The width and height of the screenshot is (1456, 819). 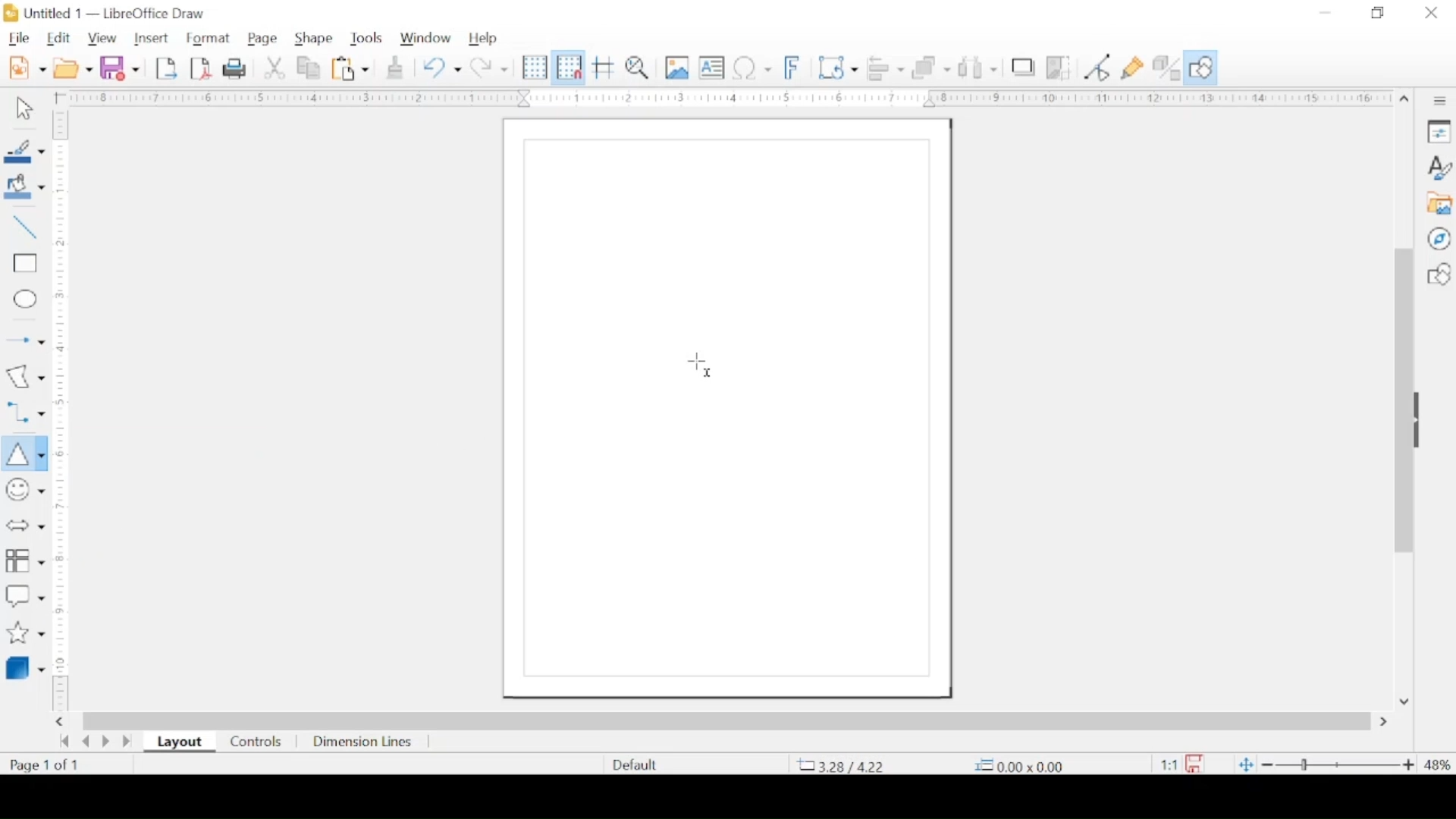 What do you see at coordinates (1167, 67) in the screenshot?
I see `toggle extrusion` at bounding box center [1167, 67].